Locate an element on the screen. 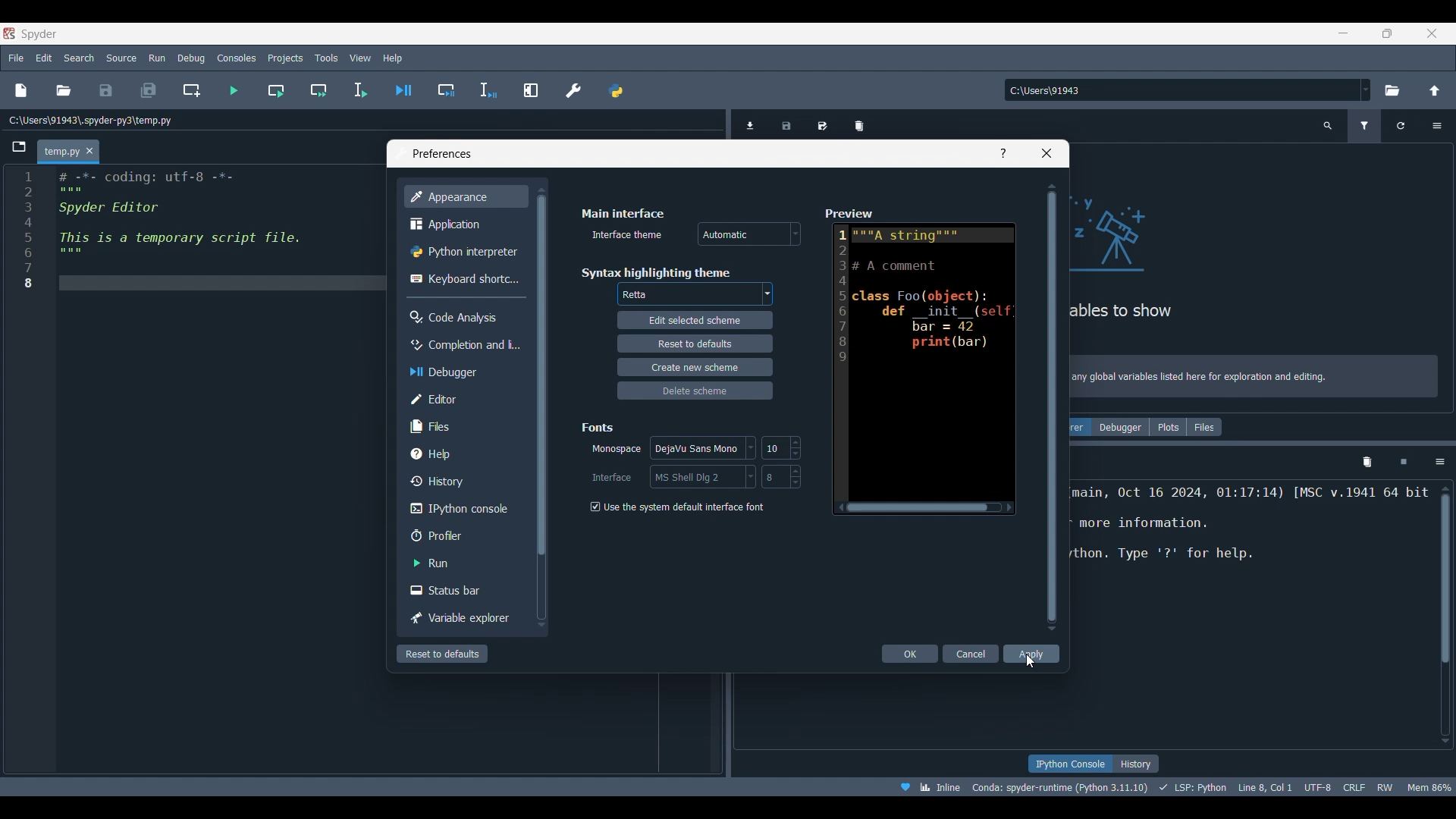 Image resolution: width=1456 pixels, height=819 pixels. Window title is located at coordinates (442, 154).